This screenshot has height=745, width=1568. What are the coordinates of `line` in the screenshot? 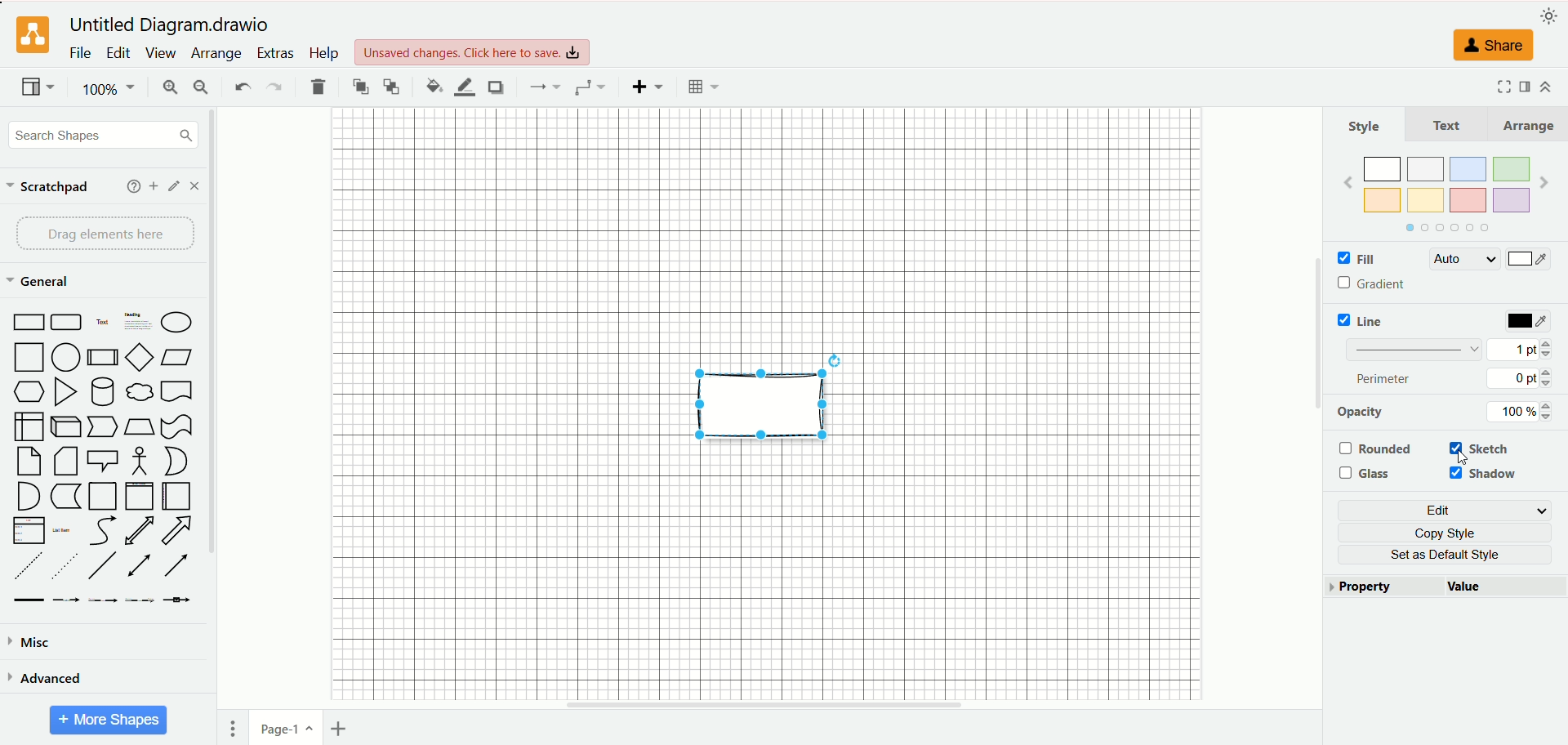 It's located at (1365, 320).